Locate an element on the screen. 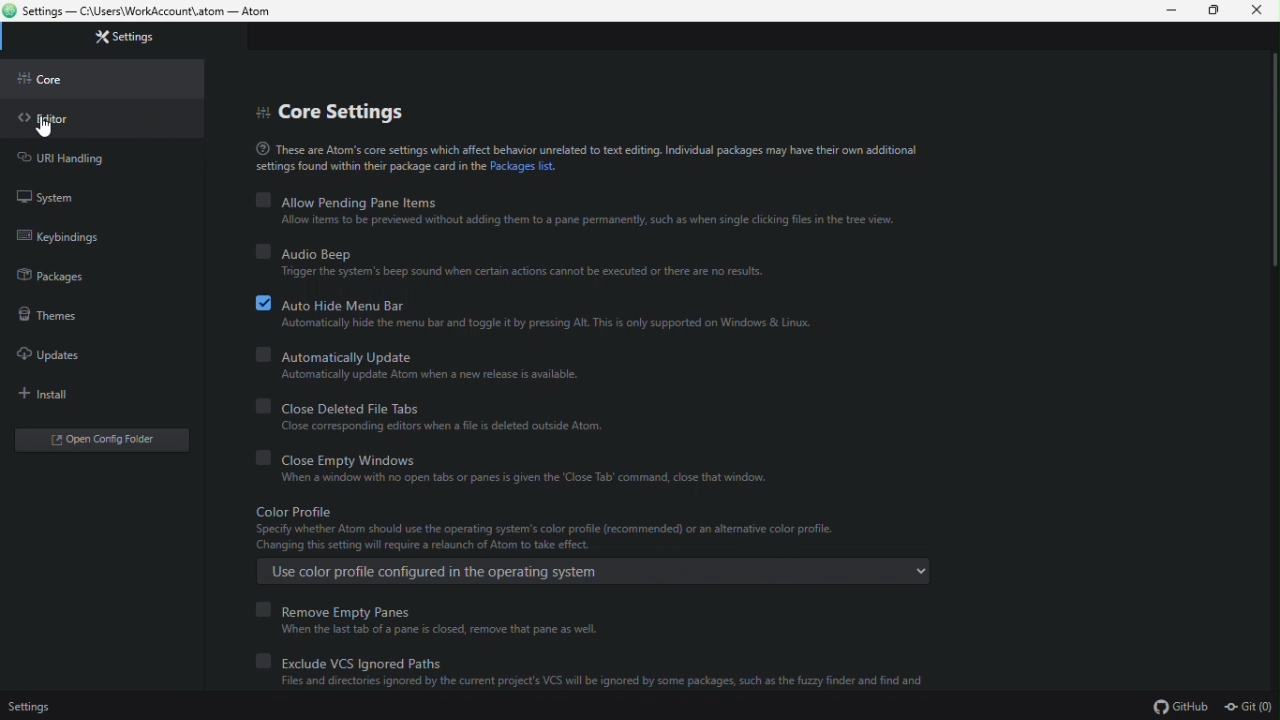 This screenshot has height=720, width=1280. auto hide  menu bar is located at coordinates (589, 302).